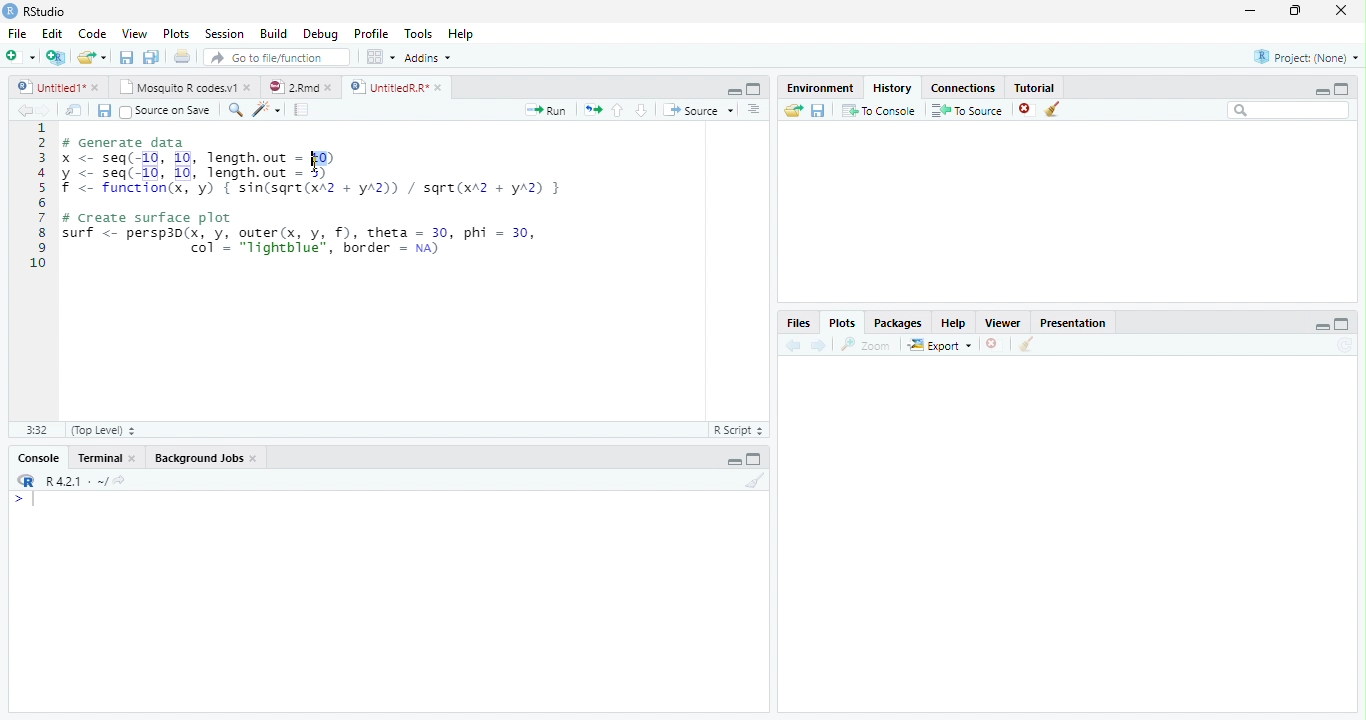  What do you see at coordinates (1073, 322) in the screenshot?
I see `Presentation` at bounding box center [1073, 322].